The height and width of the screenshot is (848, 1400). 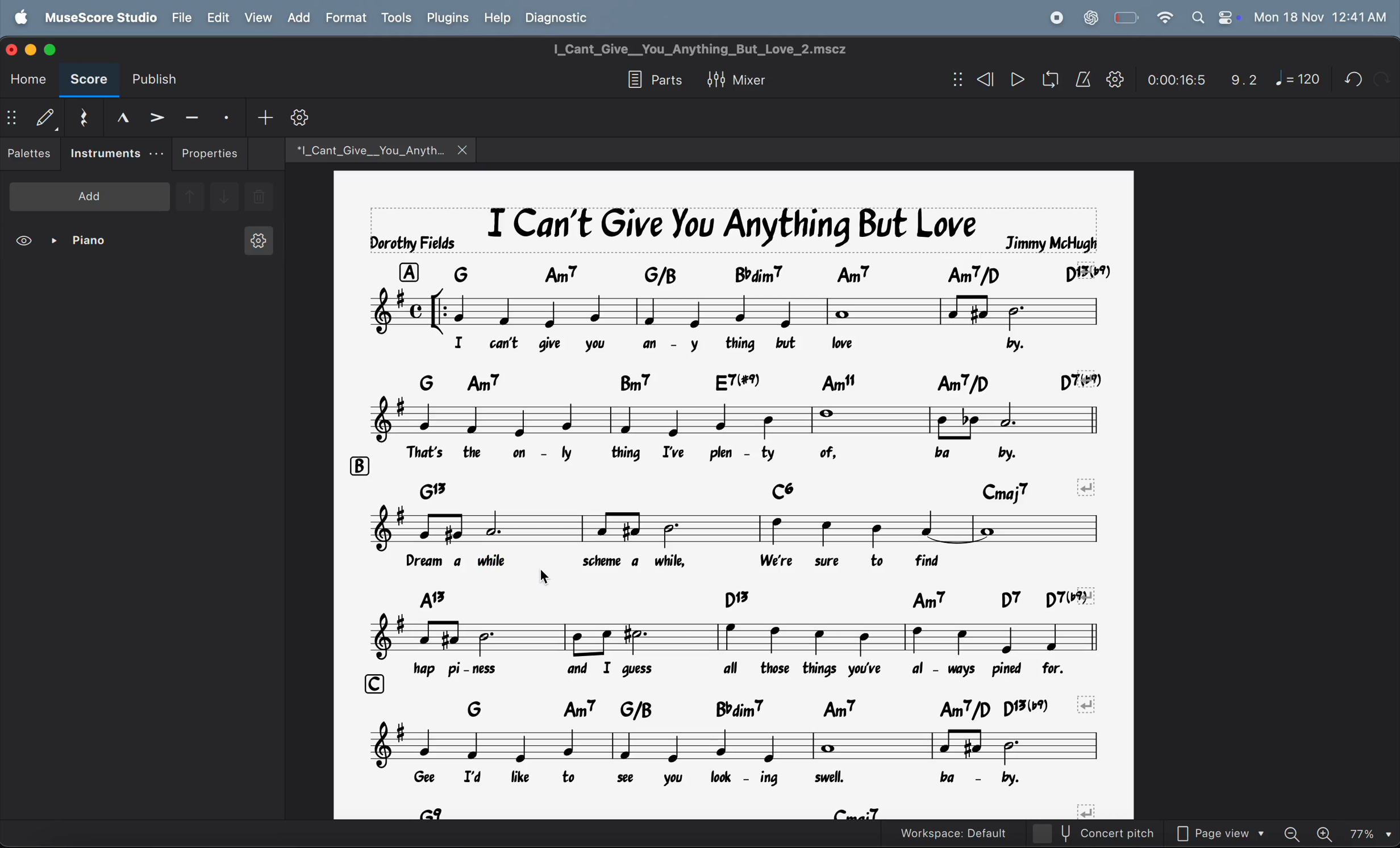 I want to click on edit, so click(x=217, y=18).